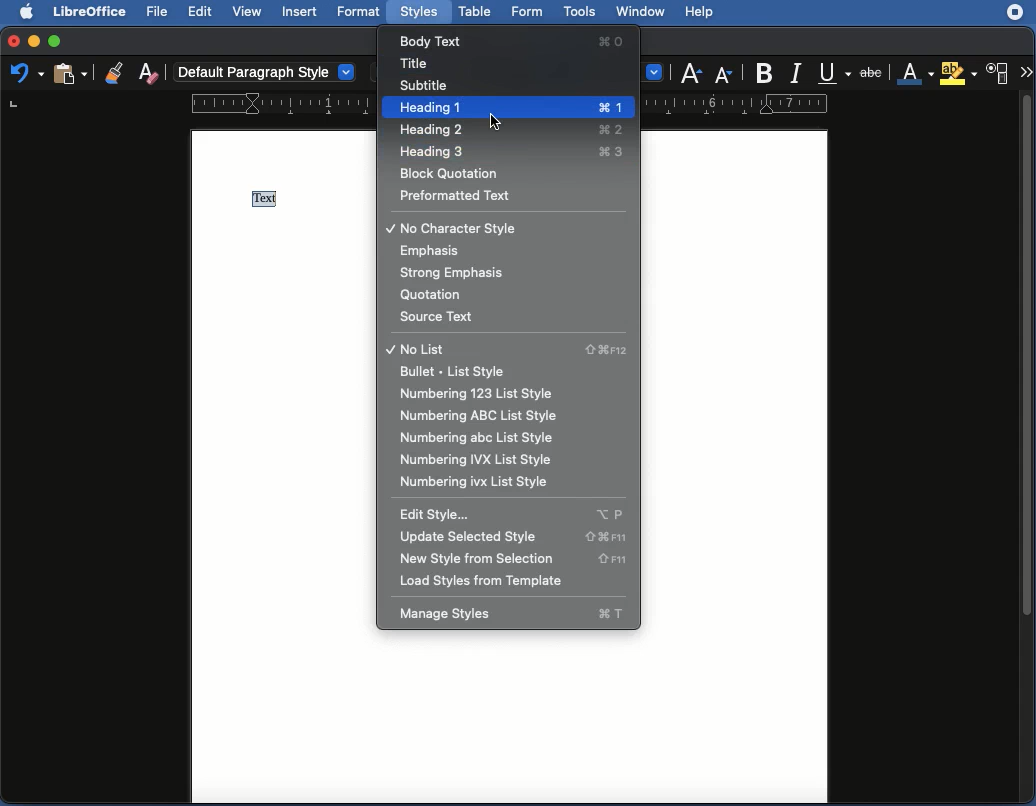  What do you see at coordinates (510, 537) in the screenshot?
I see `Update selected style` at bounding box center [510, 537].